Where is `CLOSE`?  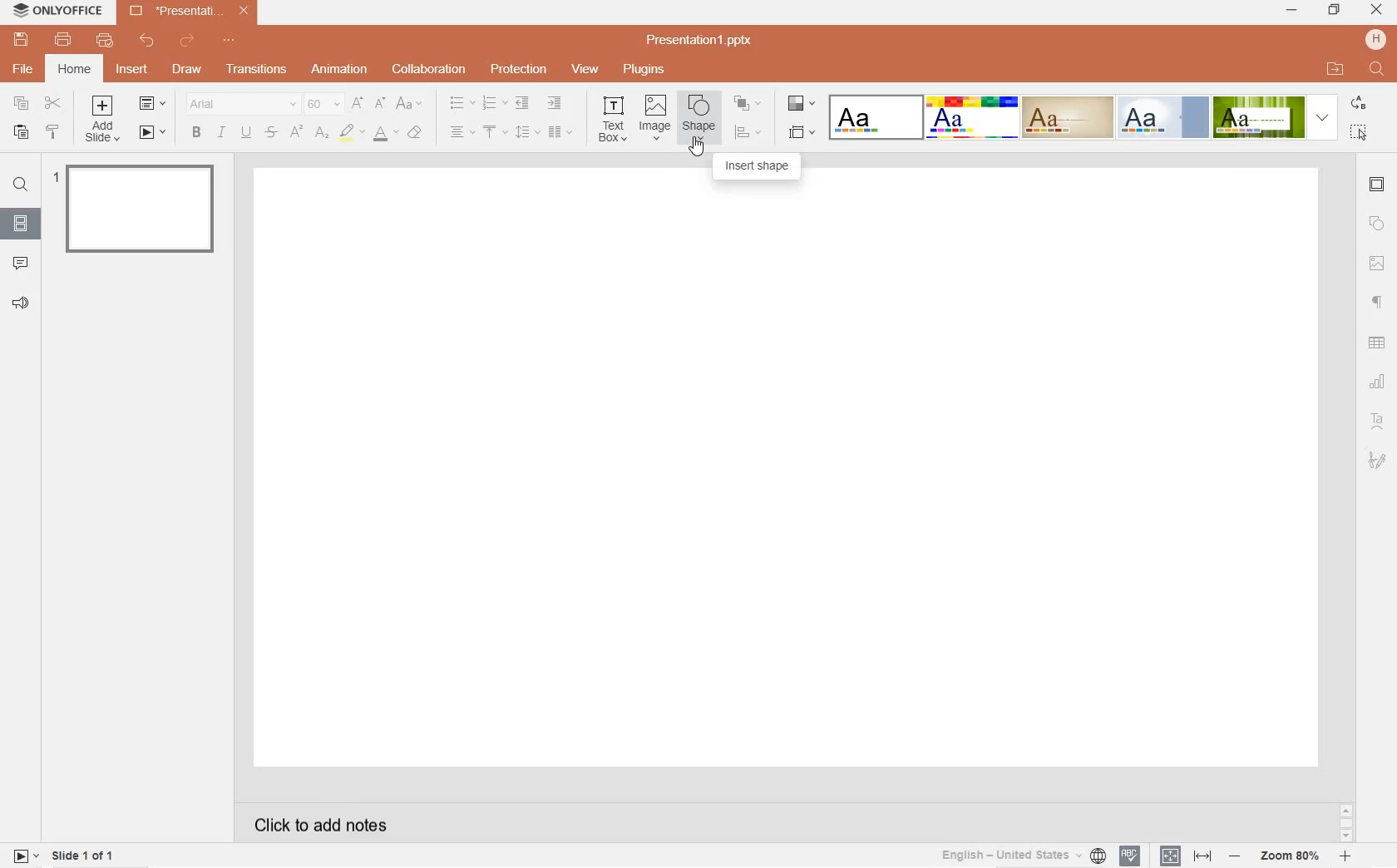 CLOSE is located at coordinates (1377, 11).